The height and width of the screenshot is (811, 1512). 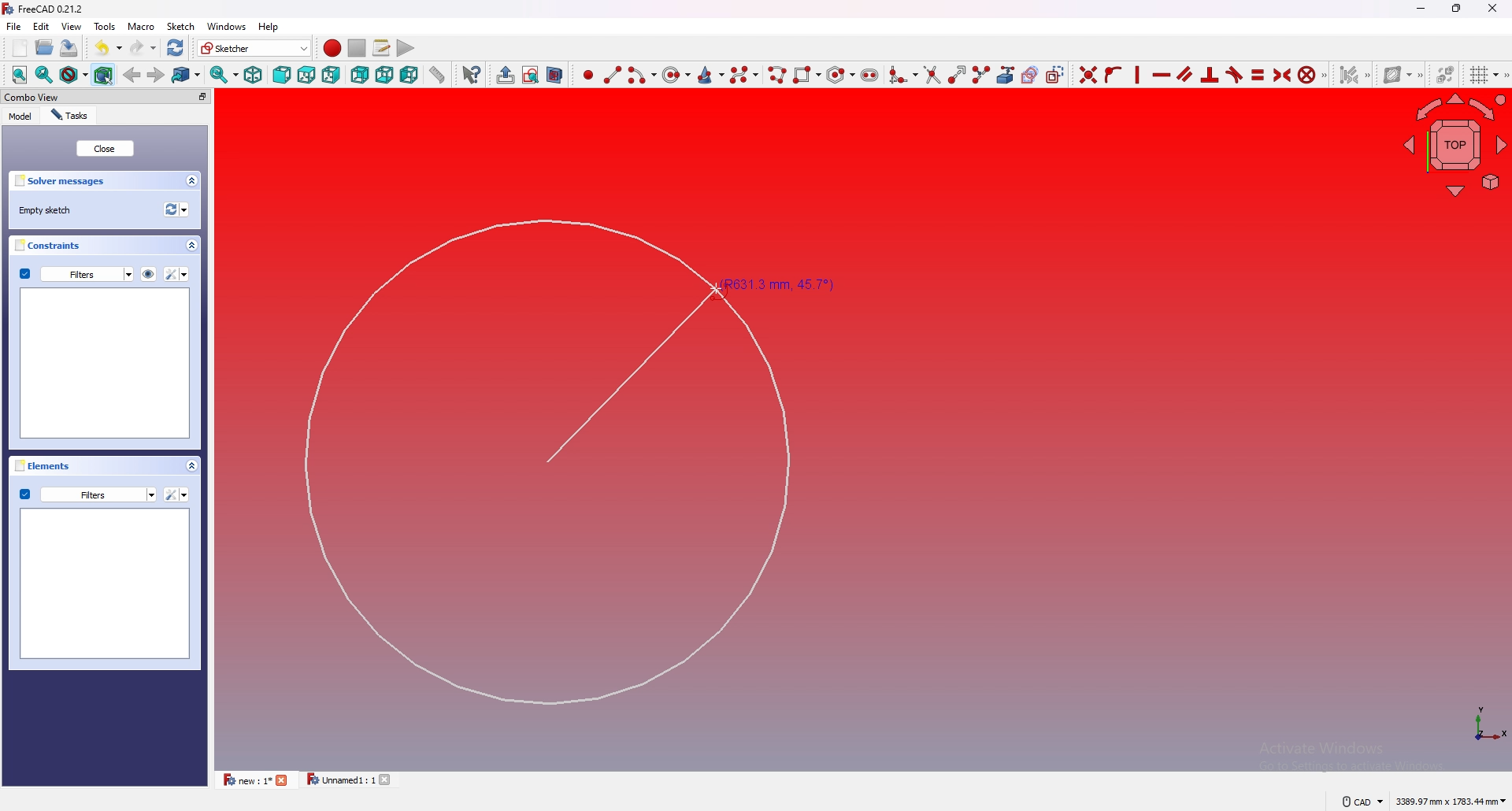 I want to click on Sketch, so click(x=180, y=26).